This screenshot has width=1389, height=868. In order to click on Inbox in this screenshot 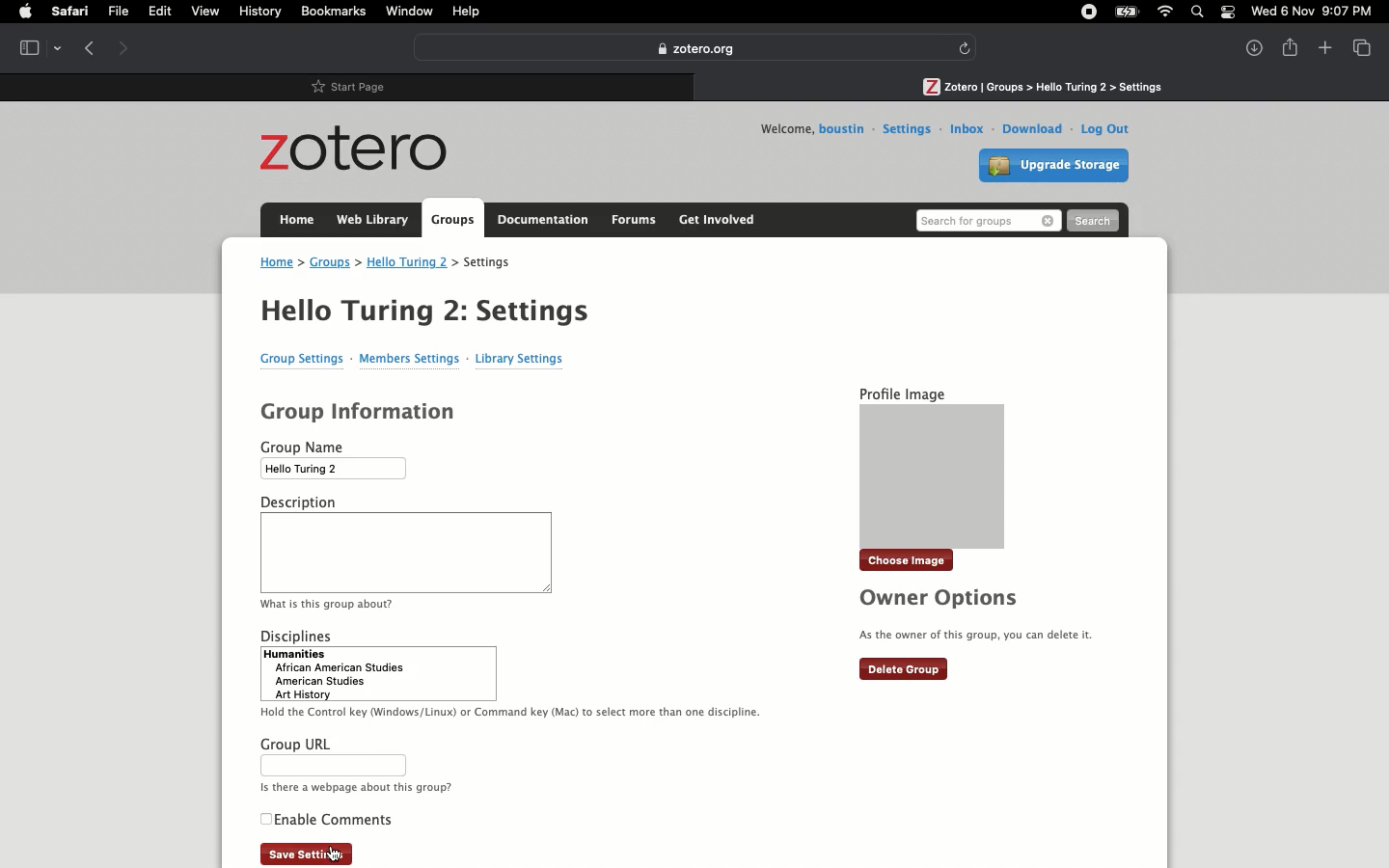, I will do `click(967, 127)`.